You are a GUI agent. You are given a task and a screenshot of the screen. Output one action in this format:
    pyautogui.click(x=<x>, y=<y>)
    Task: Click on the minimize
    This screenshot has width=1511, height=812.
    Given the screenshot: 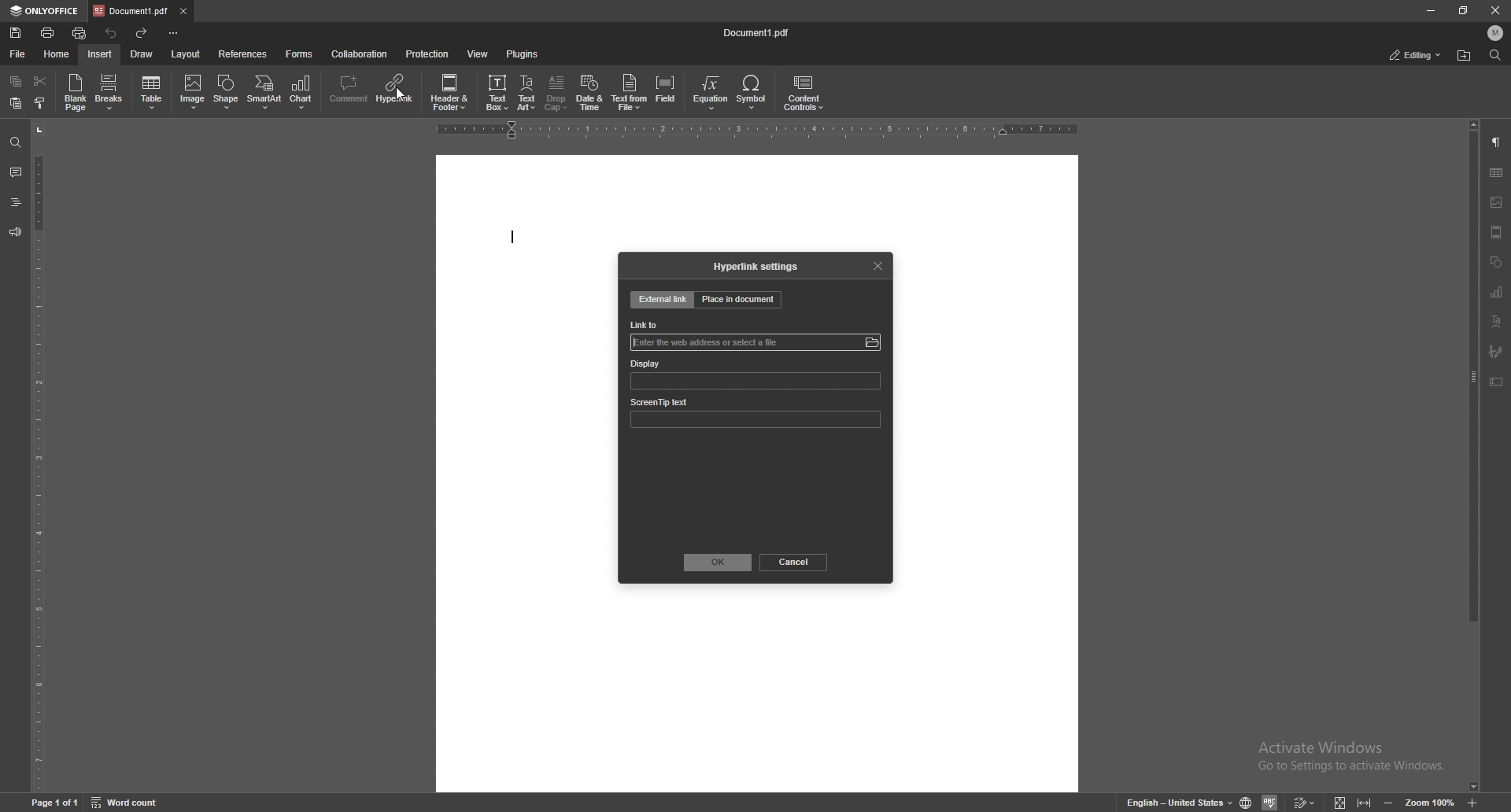 What is the action you would take?
    pyautogui.click(x=1431, y=9)
    